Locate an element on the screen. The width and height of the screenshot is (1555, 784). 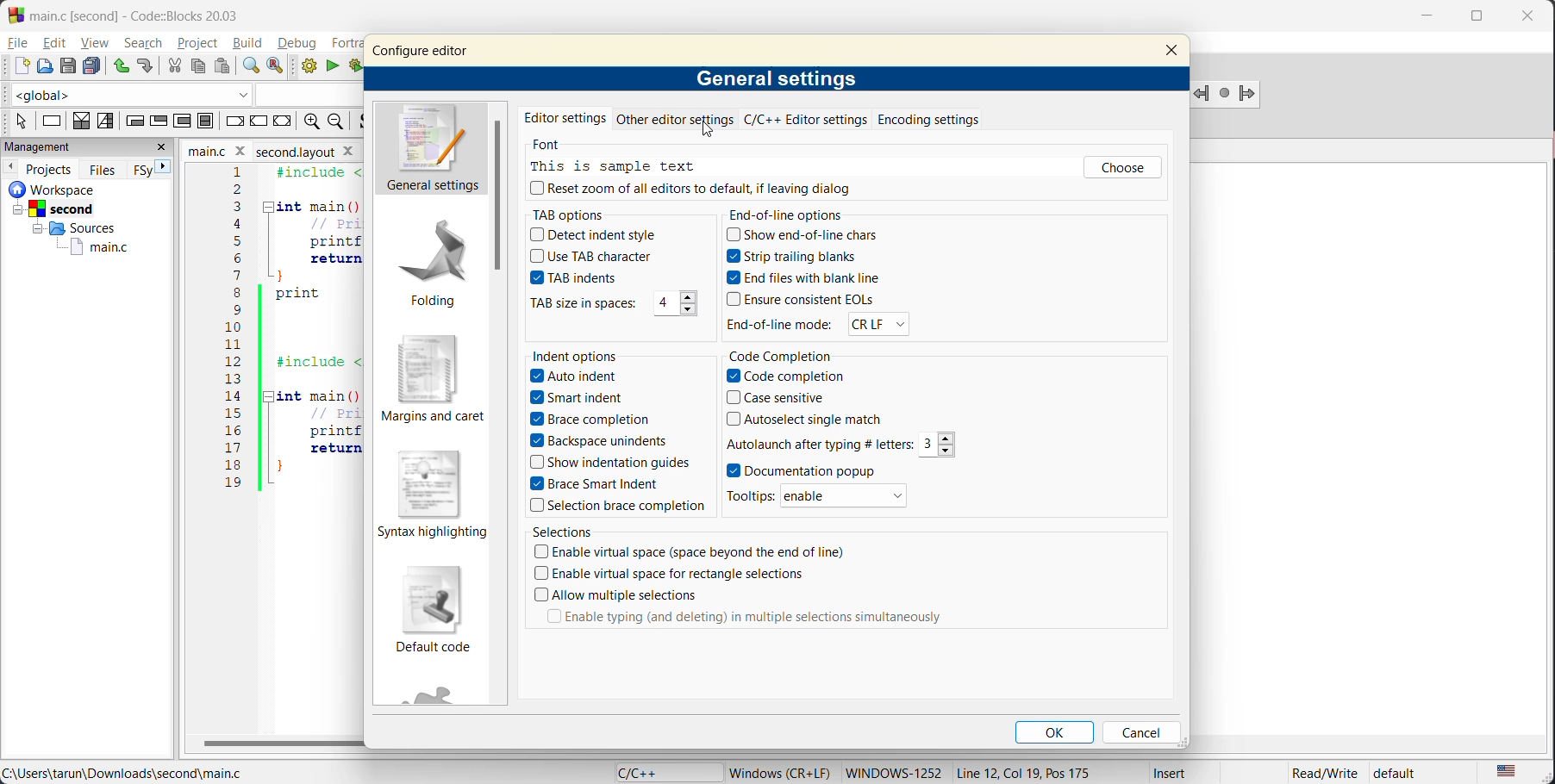
select is located at coordinates (21, 121).